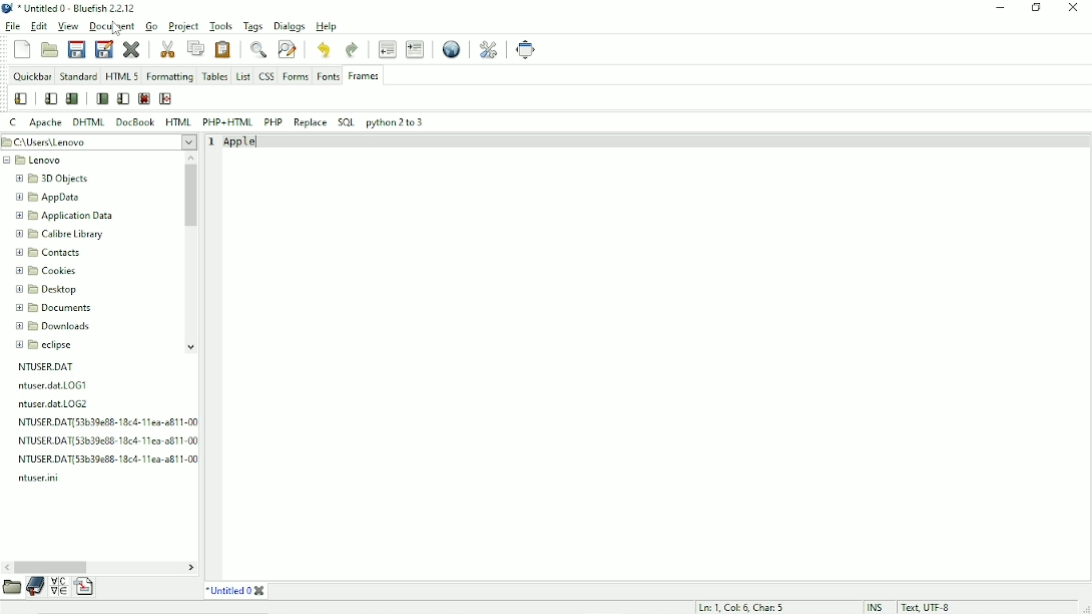 The width and height of the screenshot is (1092, 614). I want to click on Project, so click(184, 24).